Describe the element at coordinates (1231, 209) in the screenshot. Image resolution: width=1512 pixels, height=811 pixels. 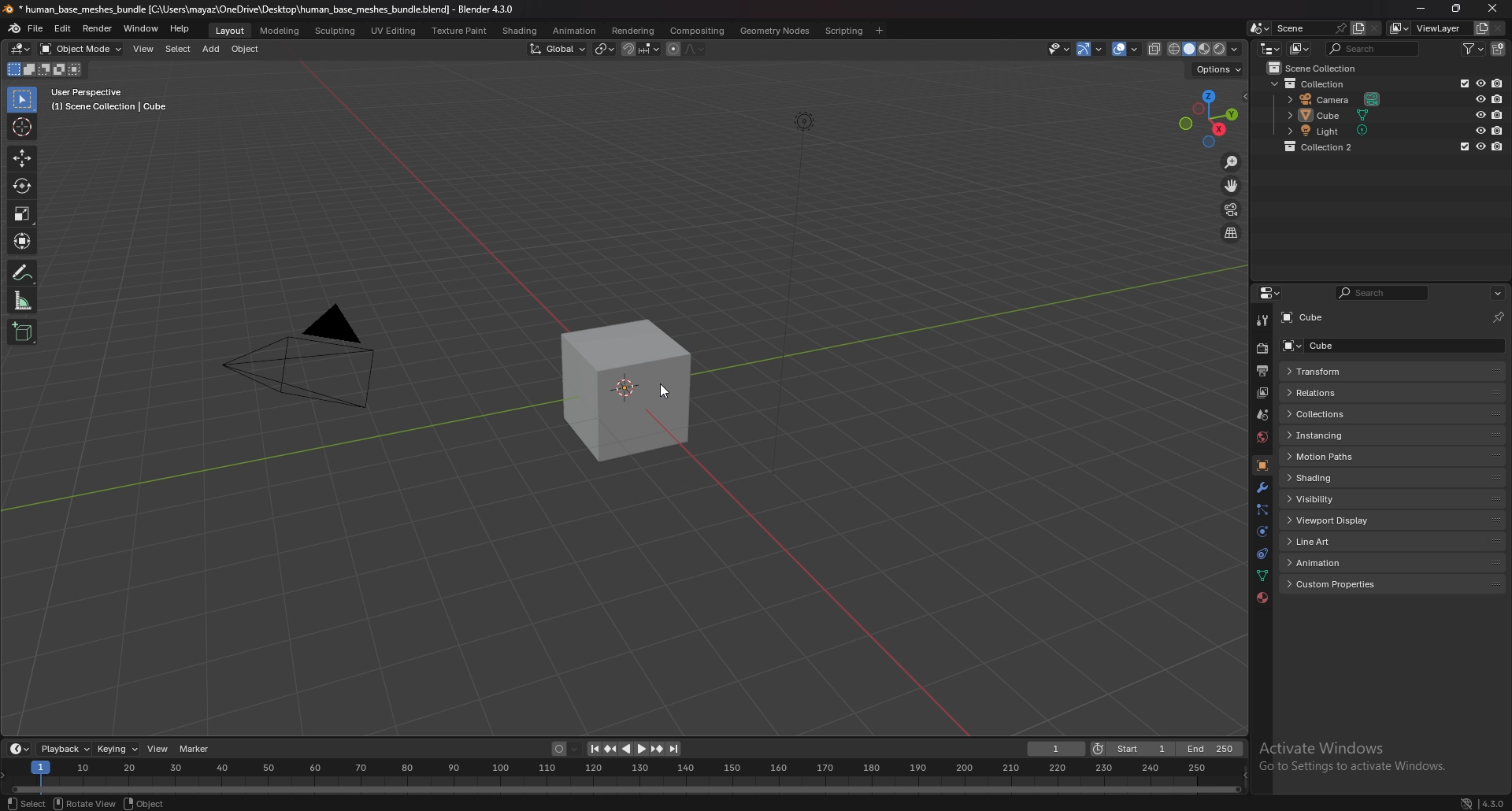
I see `camera view` at that location.